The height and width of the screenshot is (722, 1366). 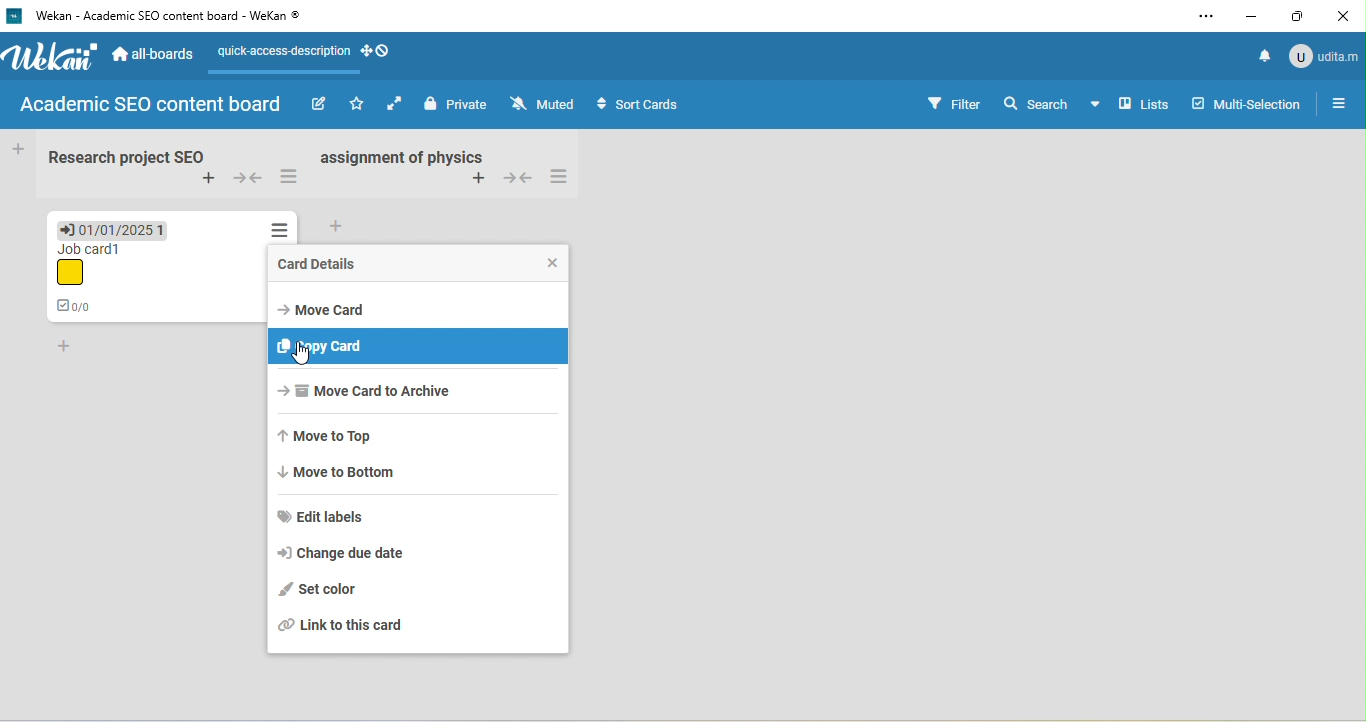 What do you see at coordinates (1340, 105) in the screenshot?
I see `open sidebar` at bounding box center [1340, 105].